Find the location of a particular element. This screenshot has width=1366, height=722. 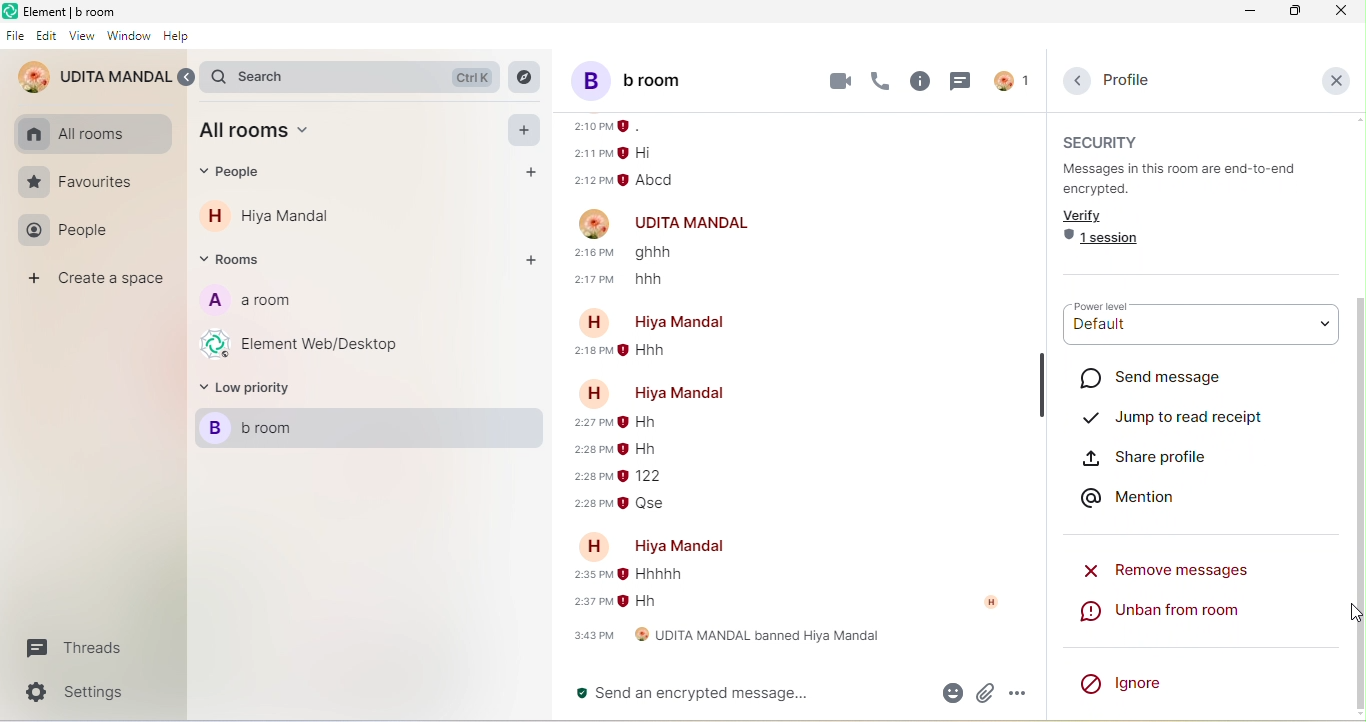

jump to read receipt is located at coordinates (1174, 412).